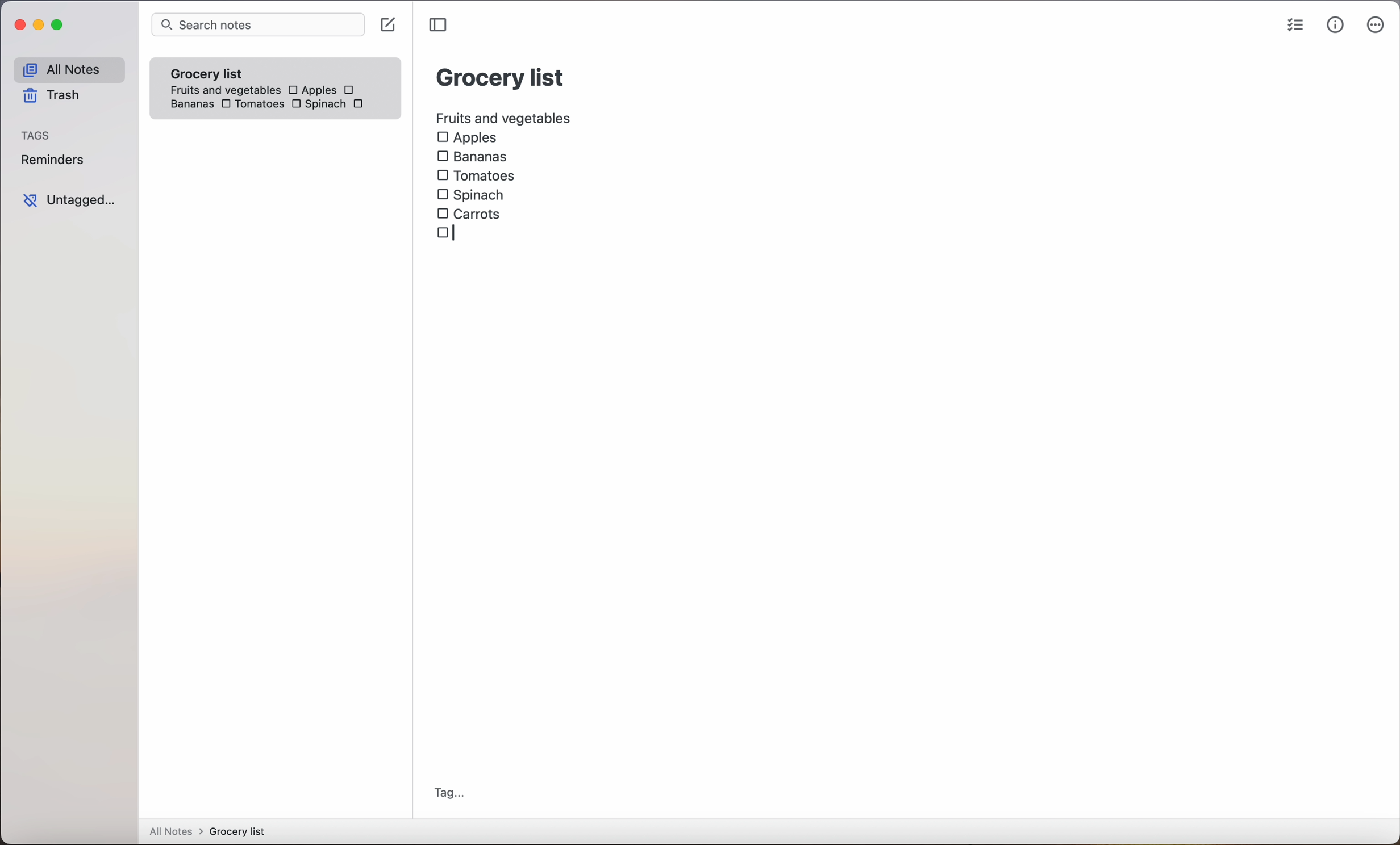 This screenshot has width=1400, height=845. What do you see at coordinates (505, 116) in the screenshot?
I see `fruits and vegetables` at bounding box center [505, 116].